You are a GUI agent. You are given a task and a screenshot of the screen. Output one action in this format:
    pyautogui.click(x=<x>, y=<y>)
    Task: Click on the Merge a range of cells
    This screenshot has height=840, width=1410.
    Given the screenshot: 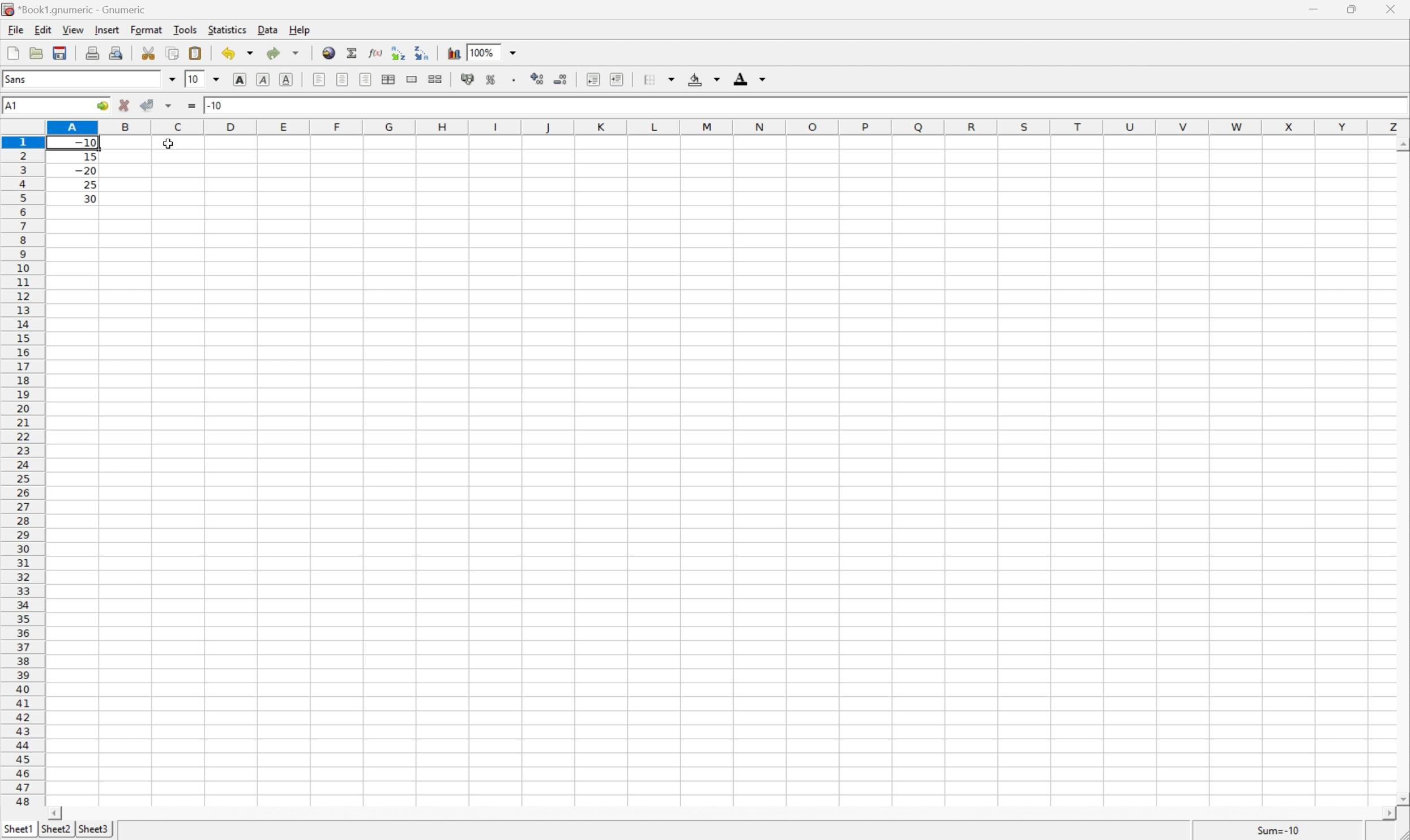 What is the action you would take?
    pyautogui.click(x=413, y=79)
    